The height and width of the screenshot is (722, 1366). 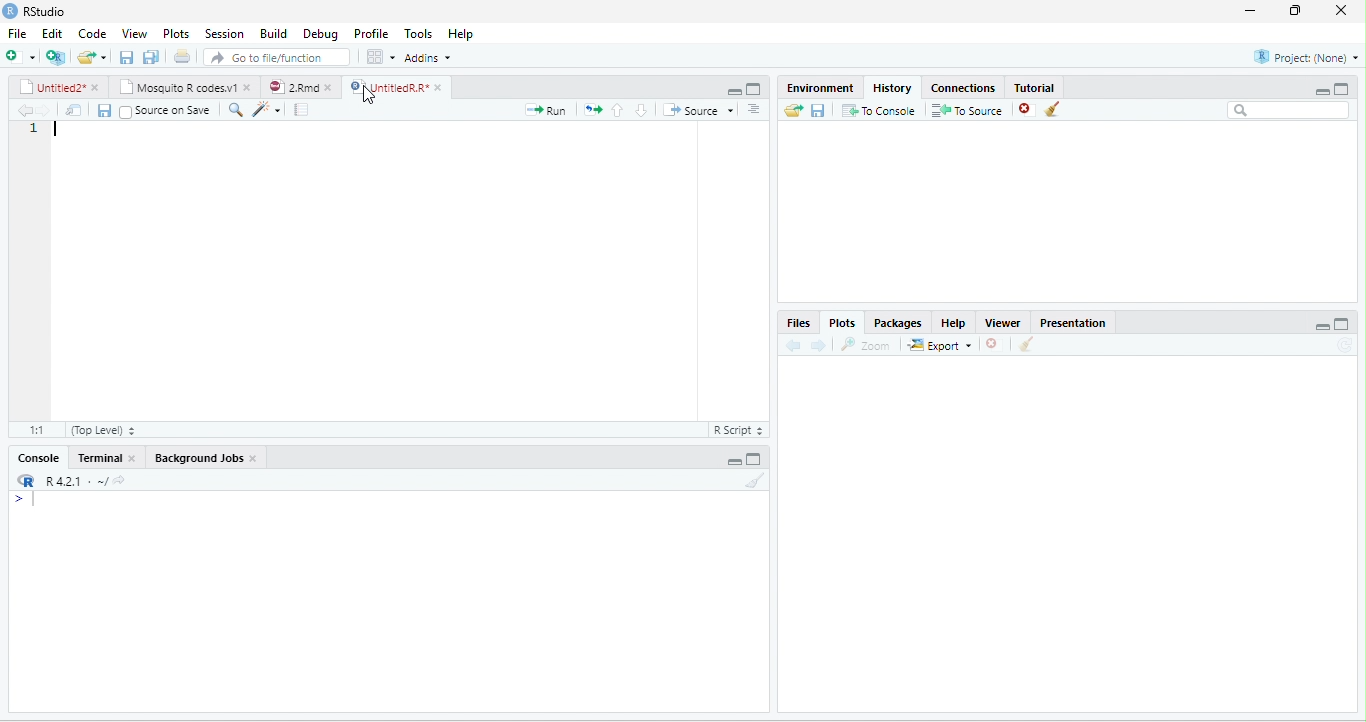 I want to click on file, so click(x=17, y=33).